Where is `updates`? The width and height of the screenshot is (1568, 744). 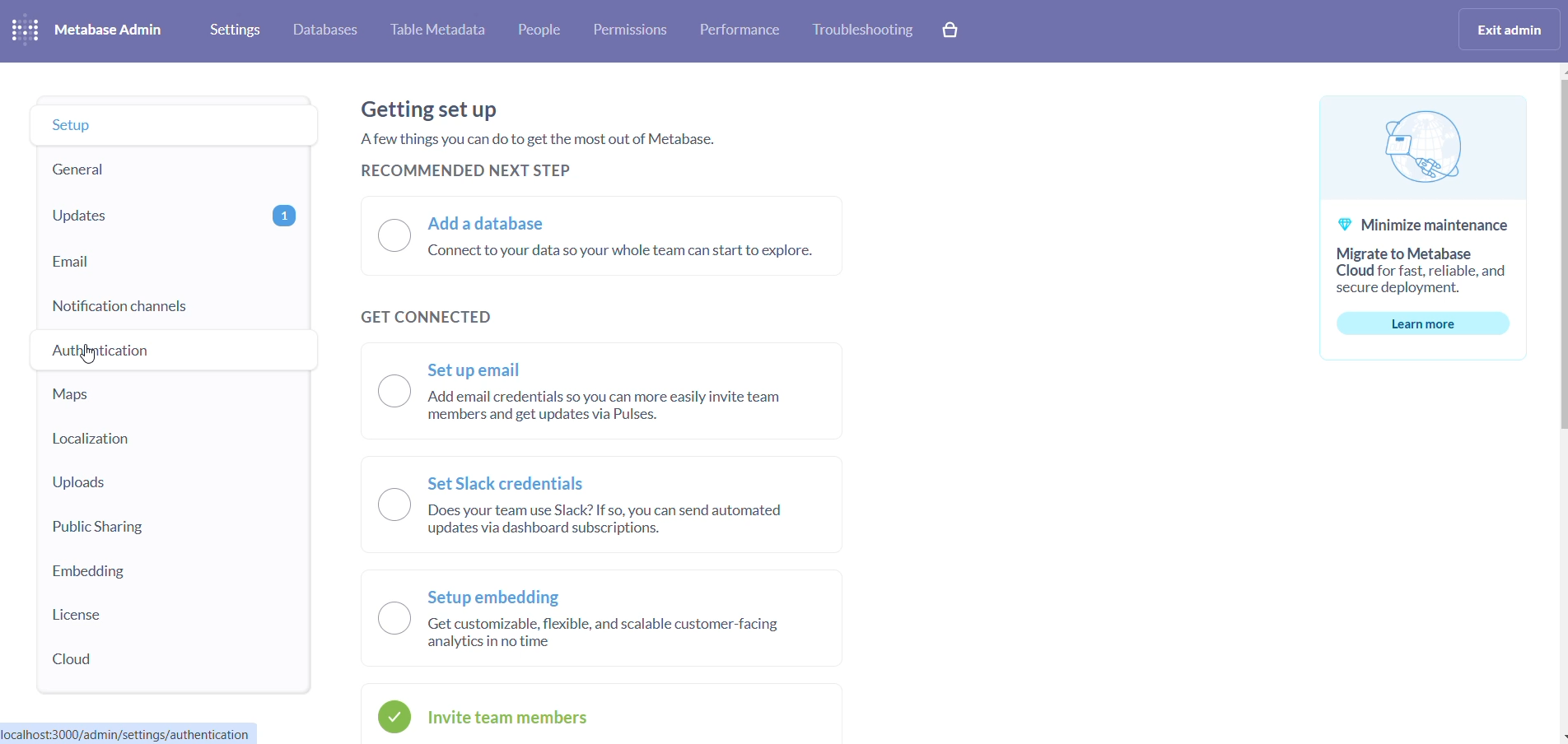 updates is located at coordinates (170, 214).